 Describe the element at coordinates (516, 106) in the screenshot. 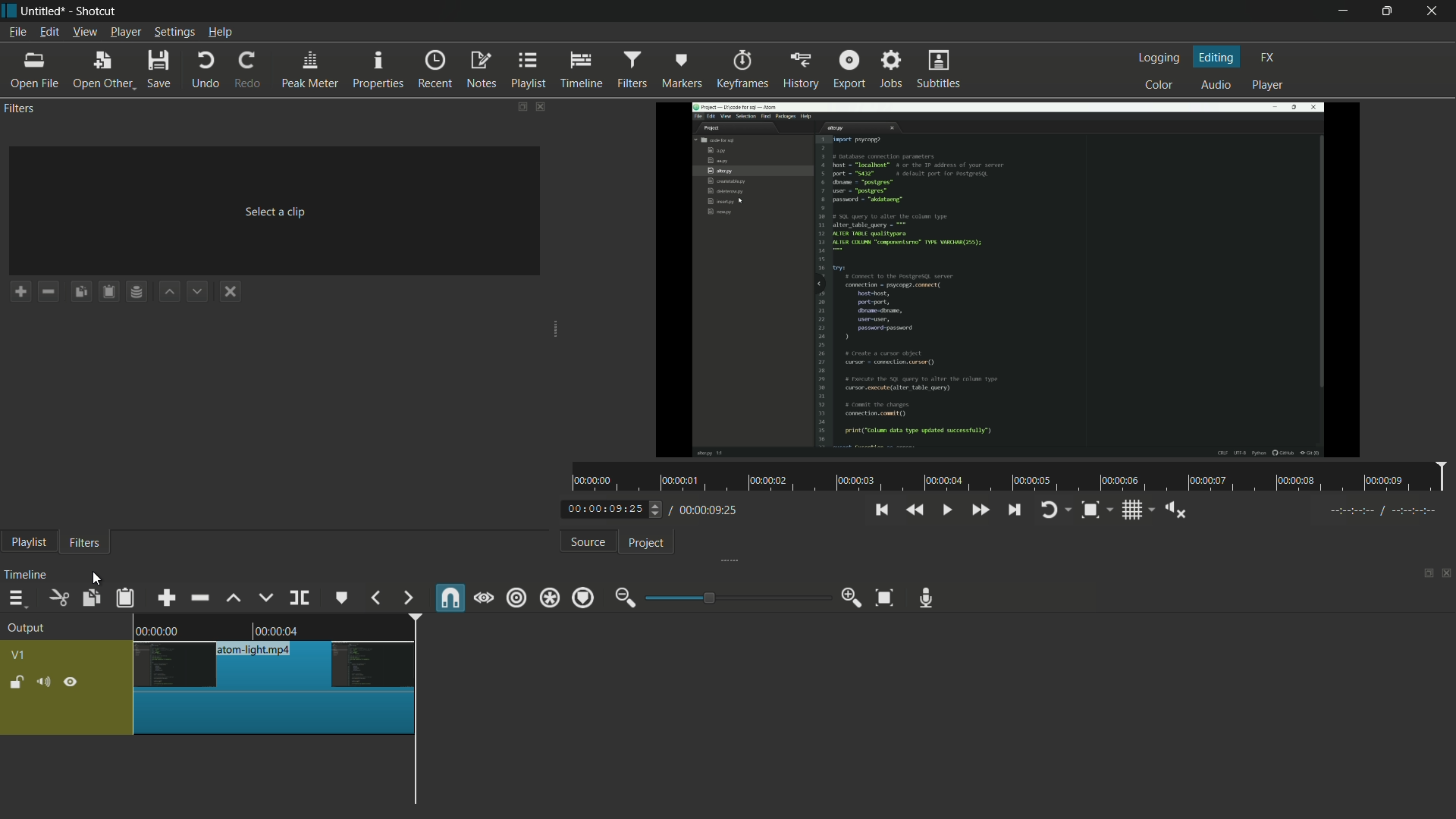

I see `change layout` at that location.